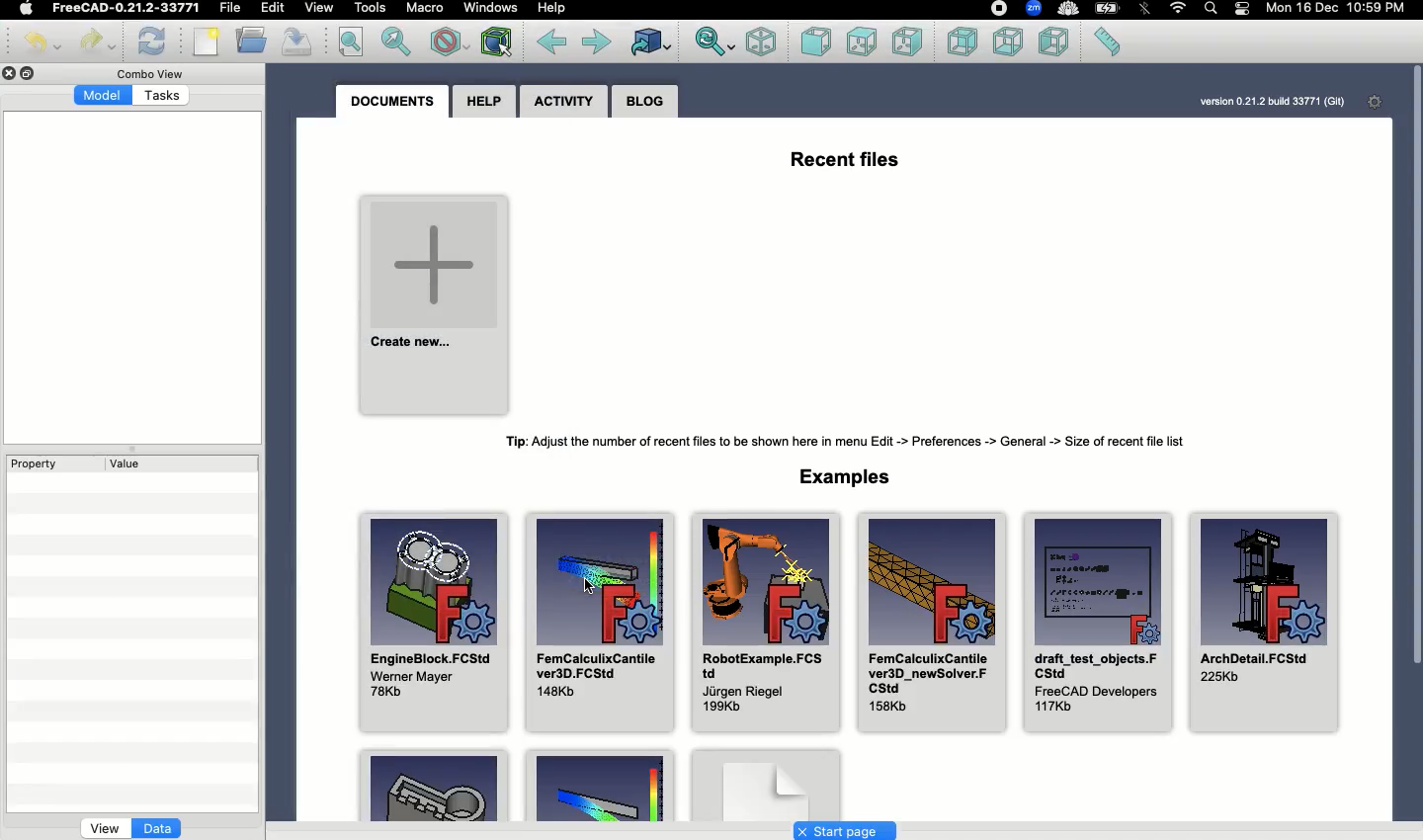  What do you see at coordinates (105, 829) in the screenshot?
I see `View` at bounding box center [105, 829].